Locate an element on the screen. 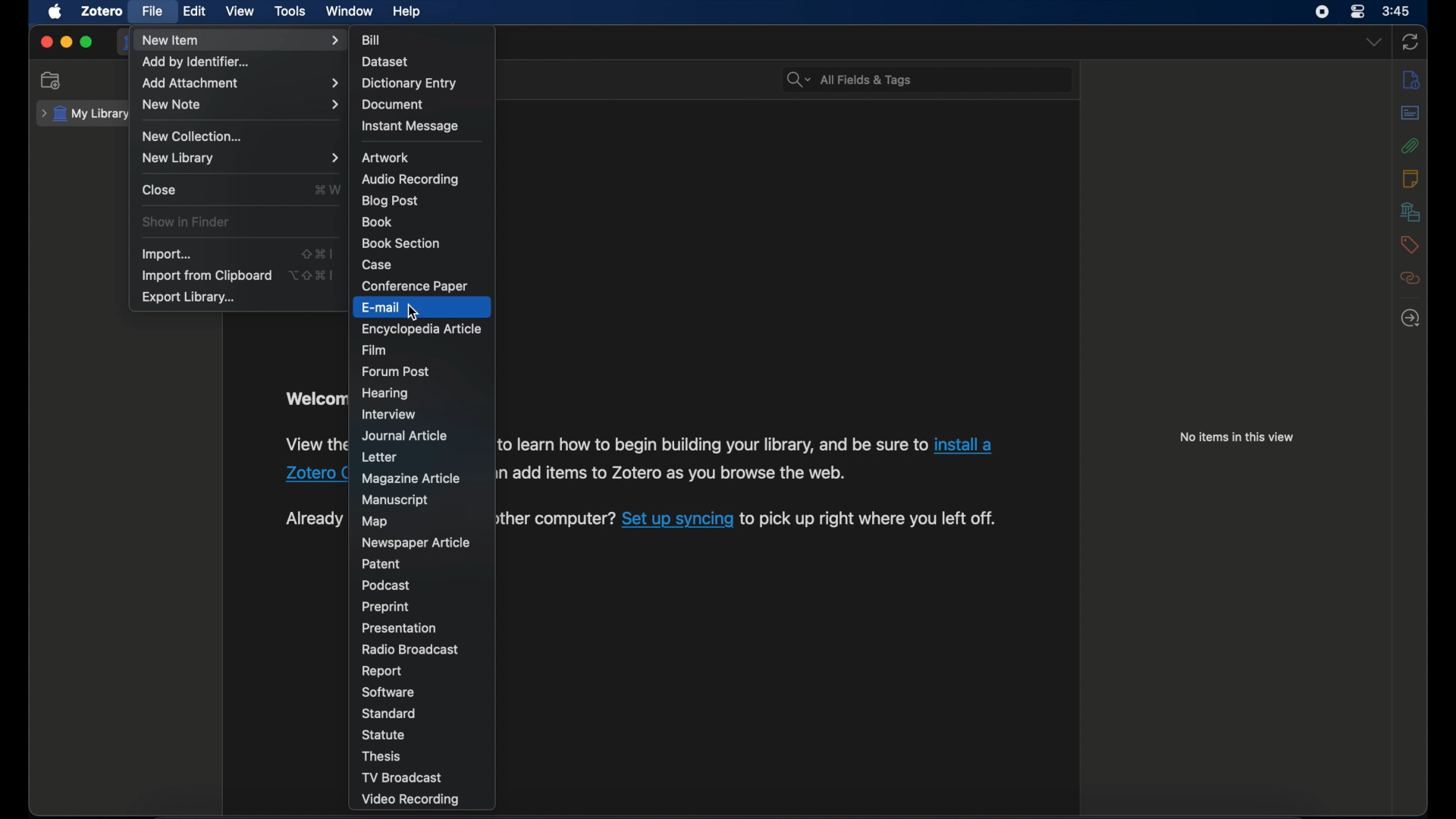  patent is located at coordinates (382, 563).